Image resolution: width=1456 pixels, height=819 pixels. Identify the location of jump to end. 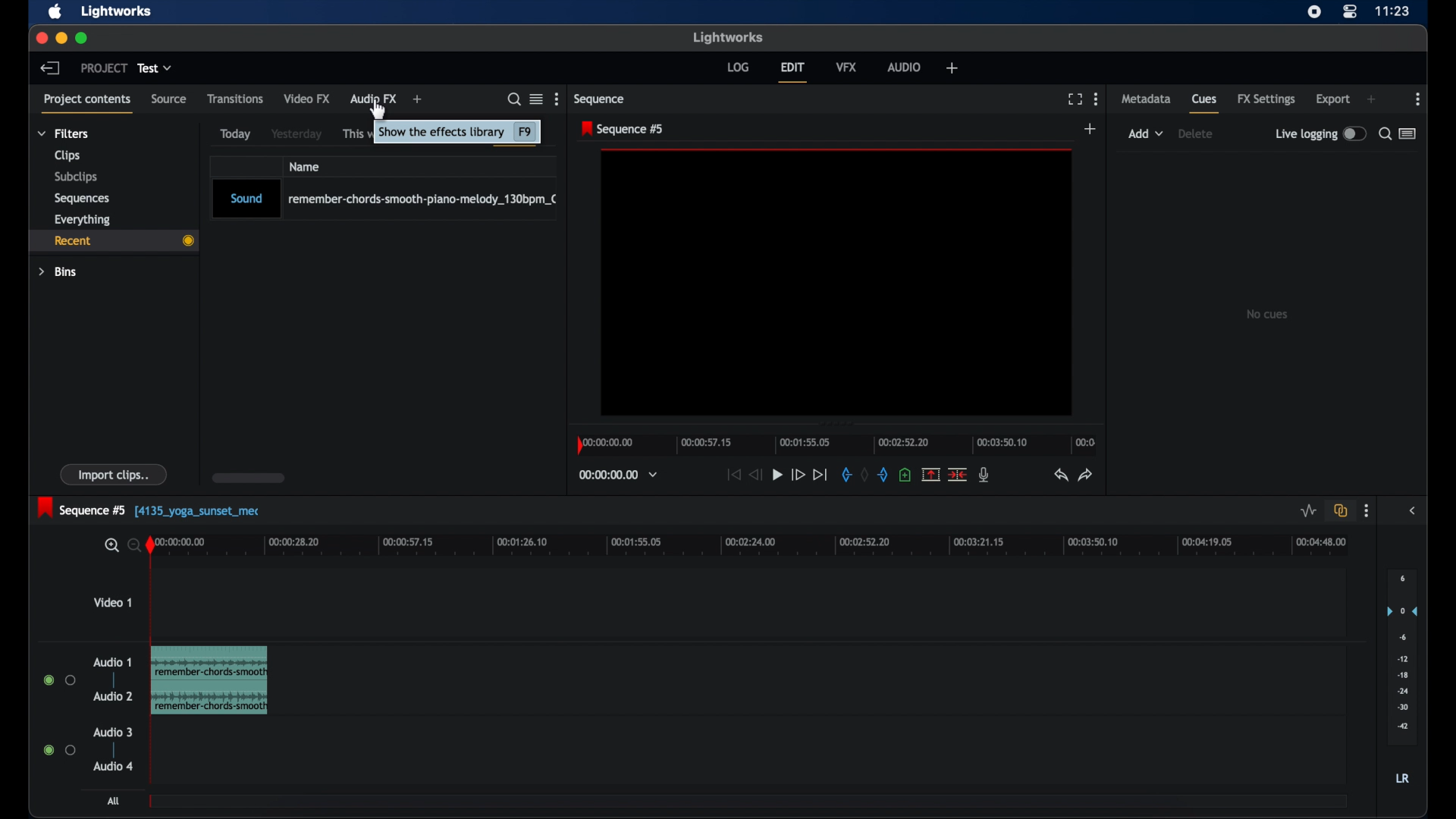
(820, 474).